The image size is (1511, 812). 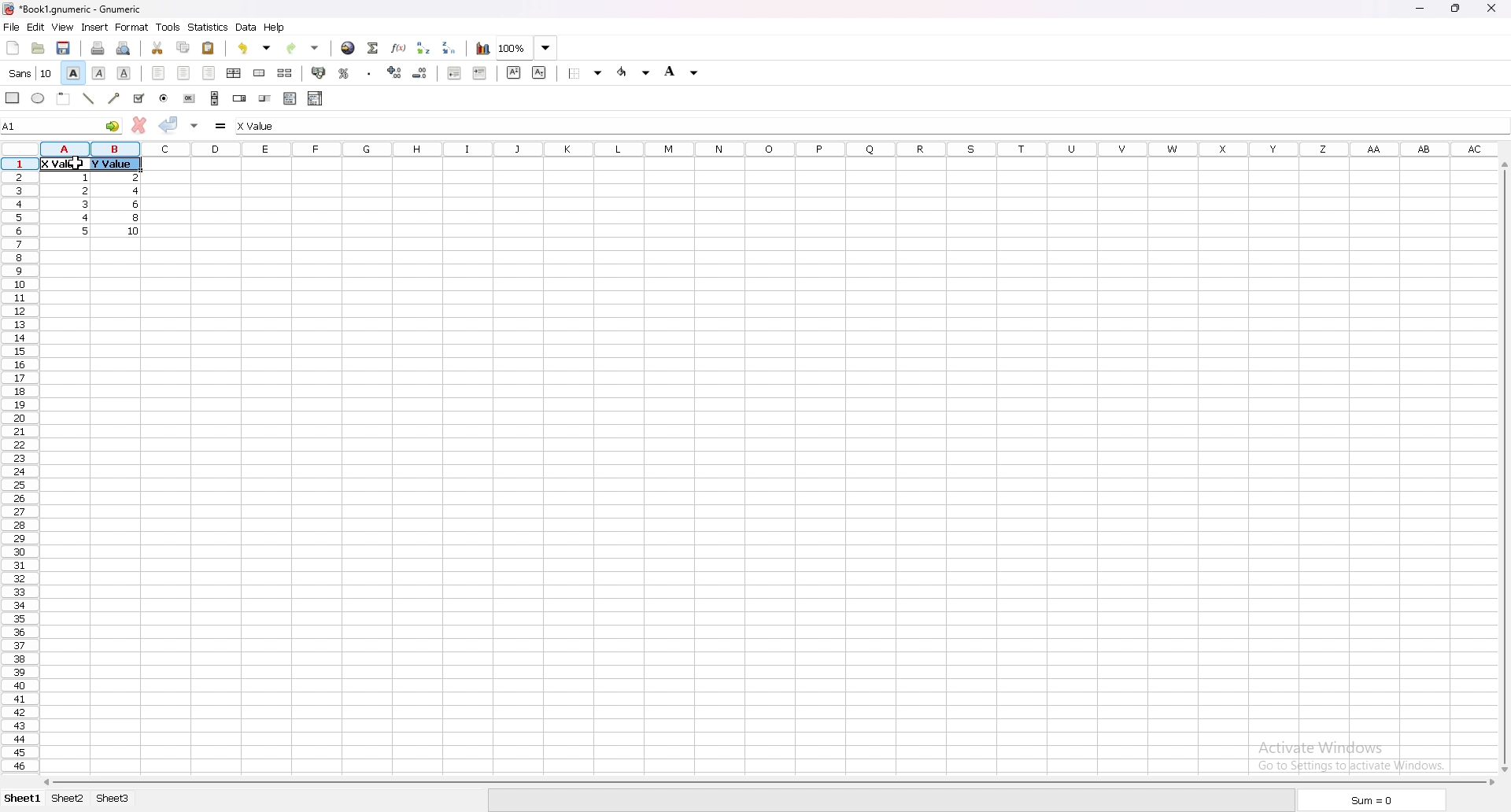 What do you see at coordinates (767, 782) in the screenshot?
I see `scroll bar` at bounding box center [767, 782].